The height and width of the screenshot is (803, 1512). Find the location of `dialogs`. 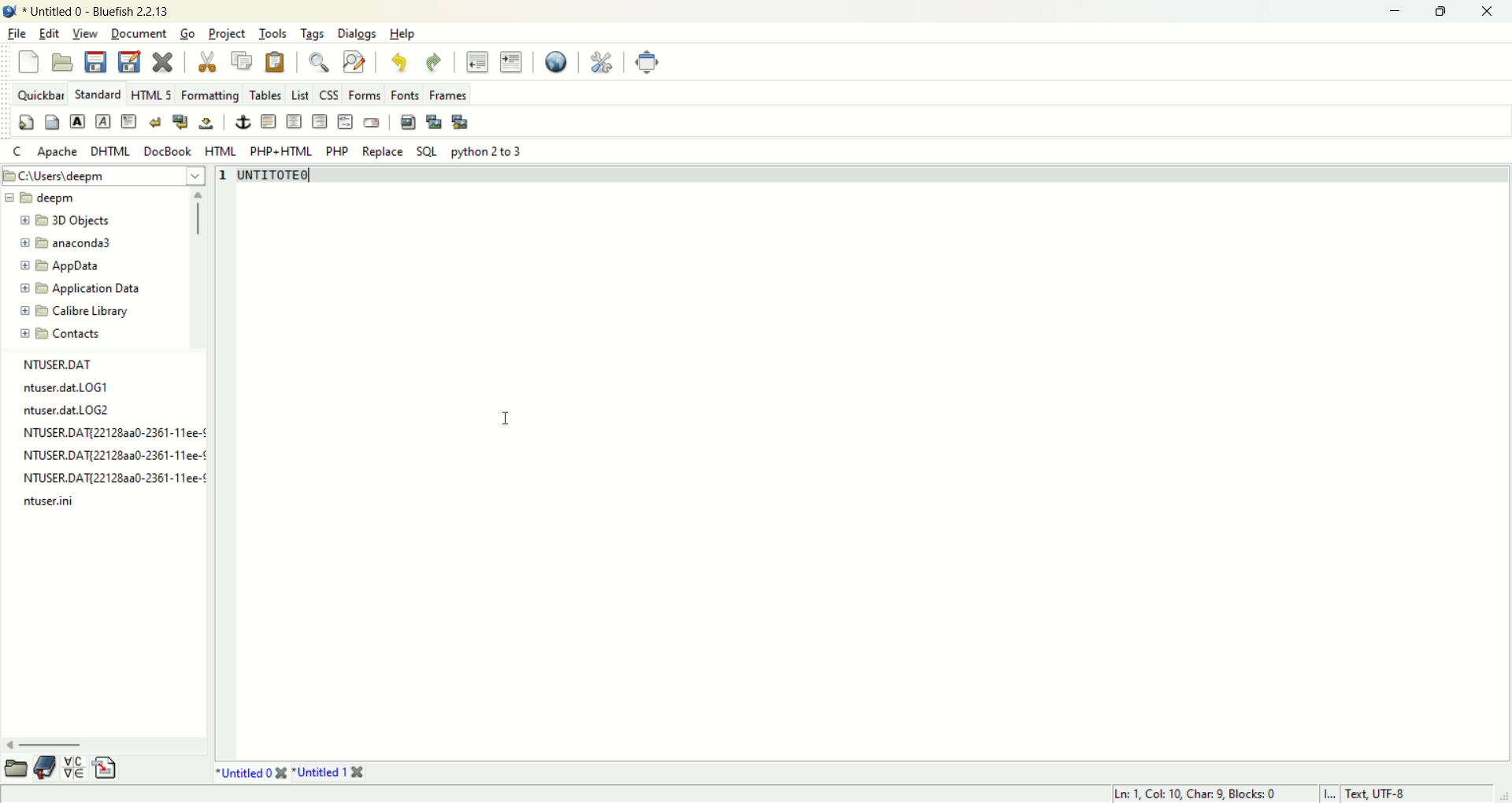

dialogs is located at coordinates (358, 35).